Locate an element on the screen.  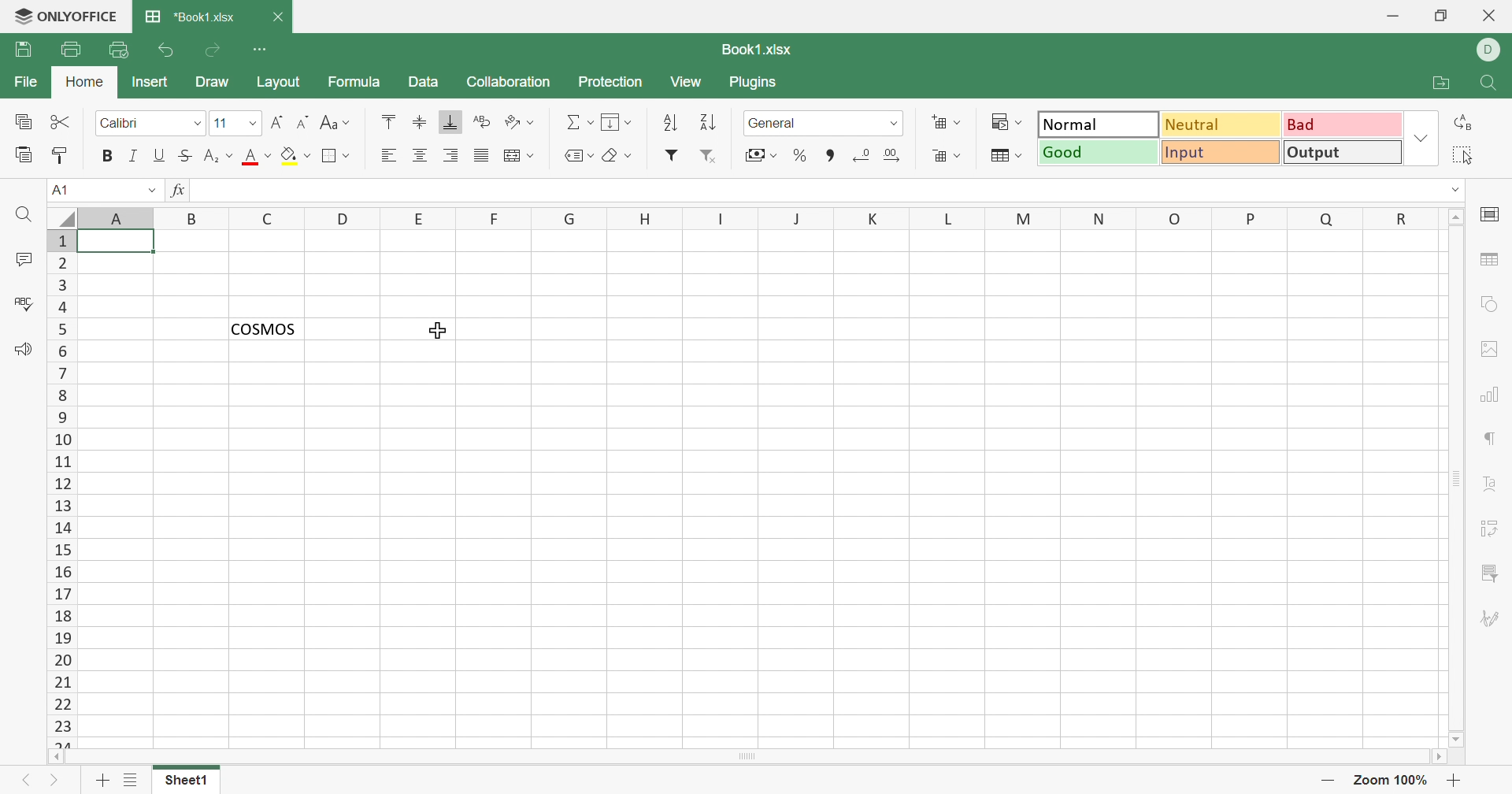
Scroll right is located at coordinates (1437, 755).